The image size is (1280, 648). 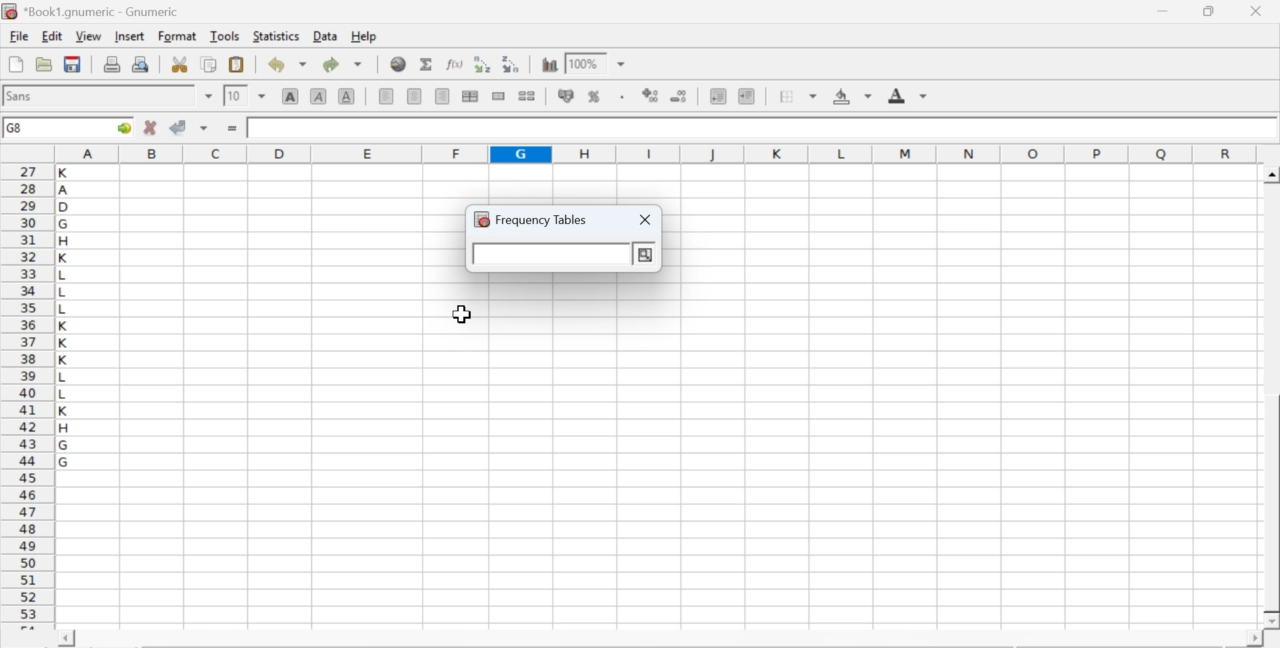 I want to click on underline, so click(x=347, y=95).